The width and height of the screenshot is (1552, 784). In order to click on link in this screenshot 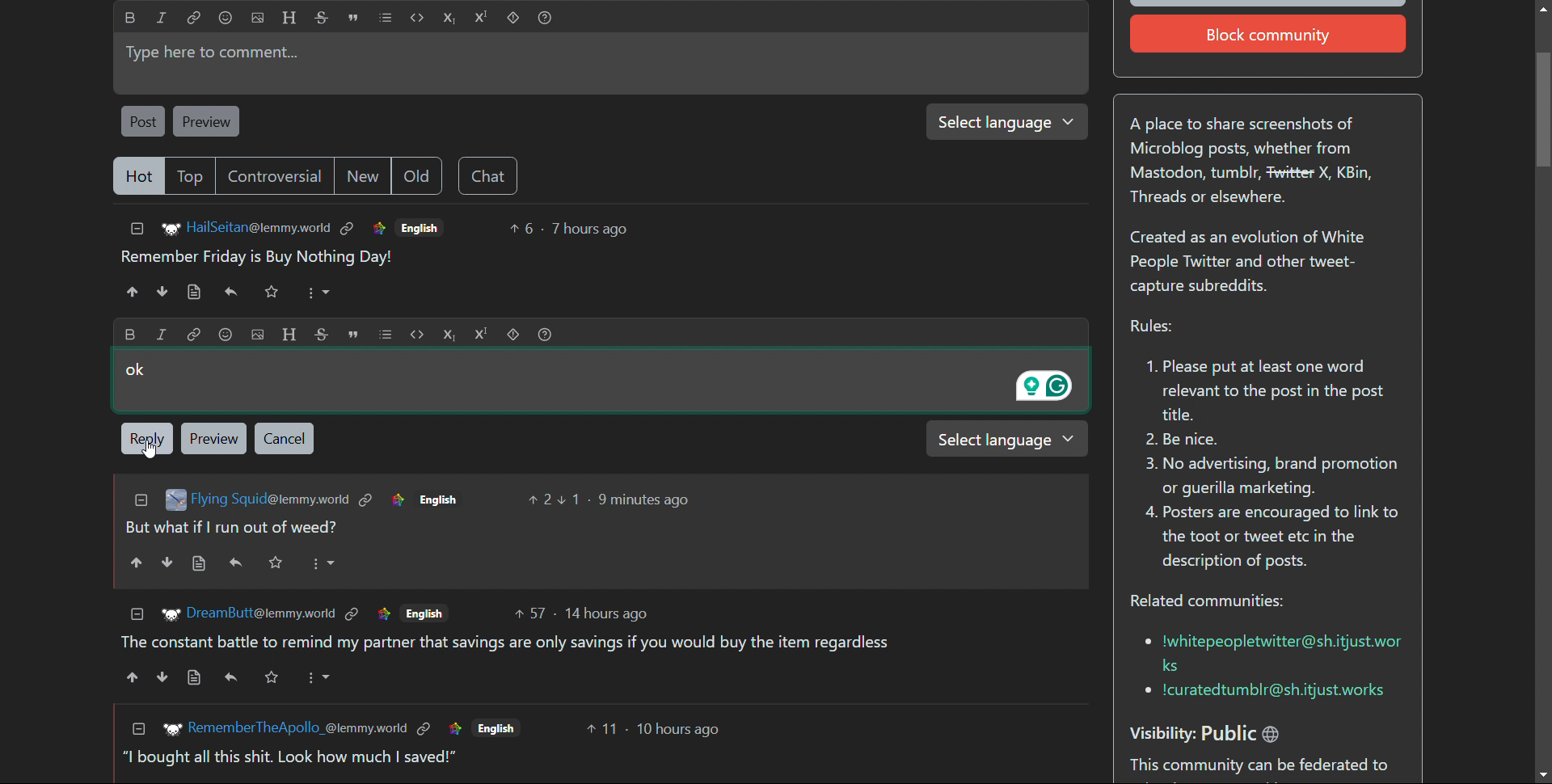, I will do `click(195, 17)`.